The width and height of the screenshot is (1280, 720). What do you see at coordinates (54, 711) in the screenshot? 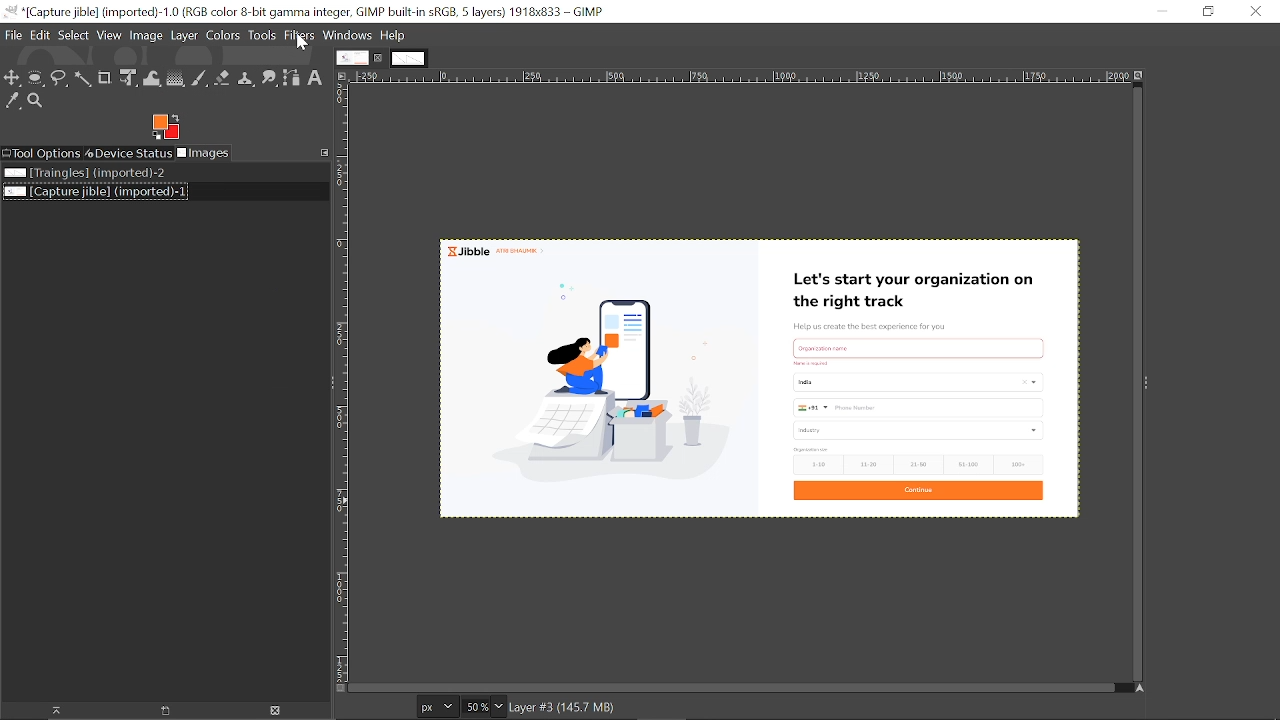
I see `Raise this image display` at bounding box center [54, 711].